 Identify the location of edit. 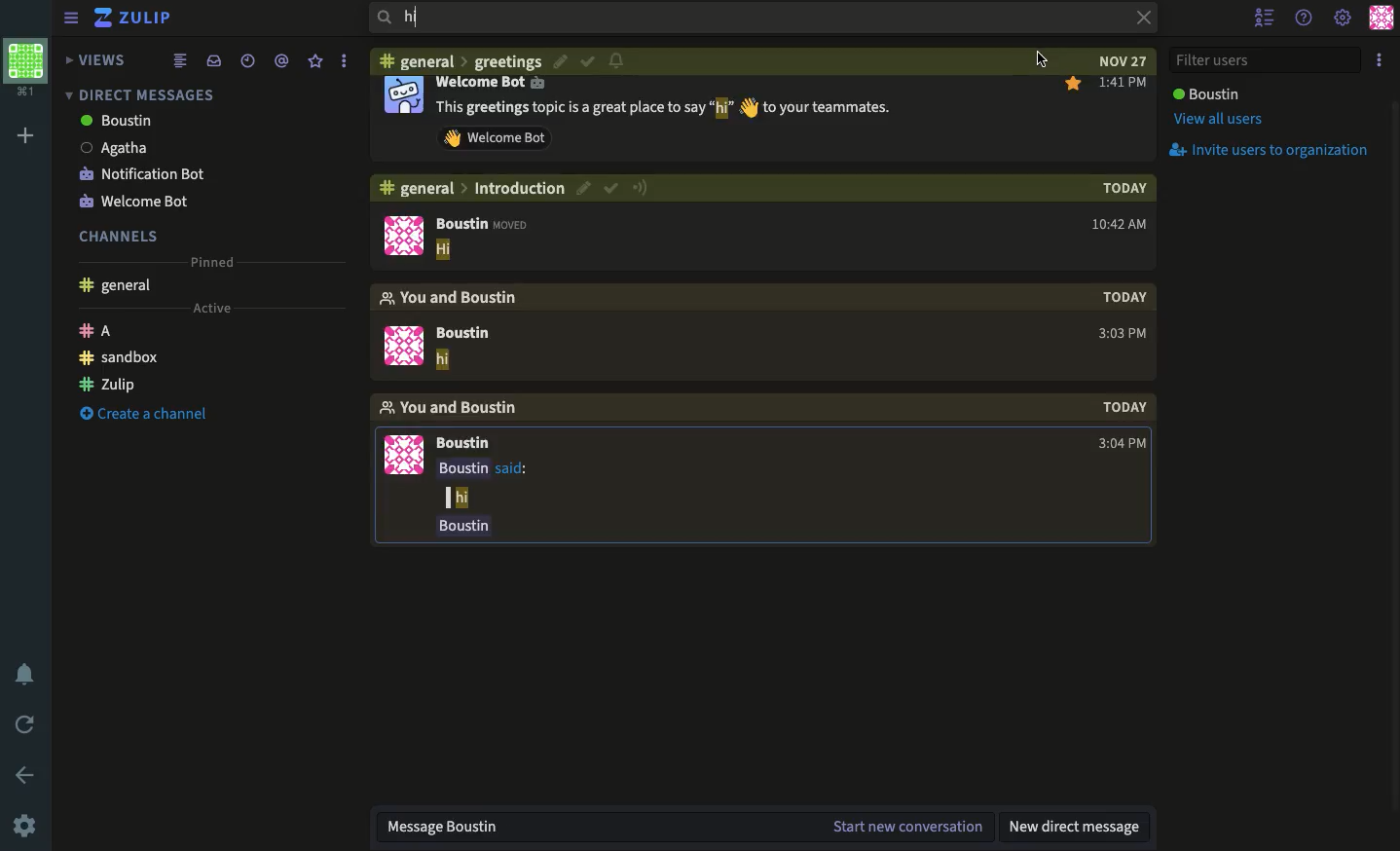
(563, 60).